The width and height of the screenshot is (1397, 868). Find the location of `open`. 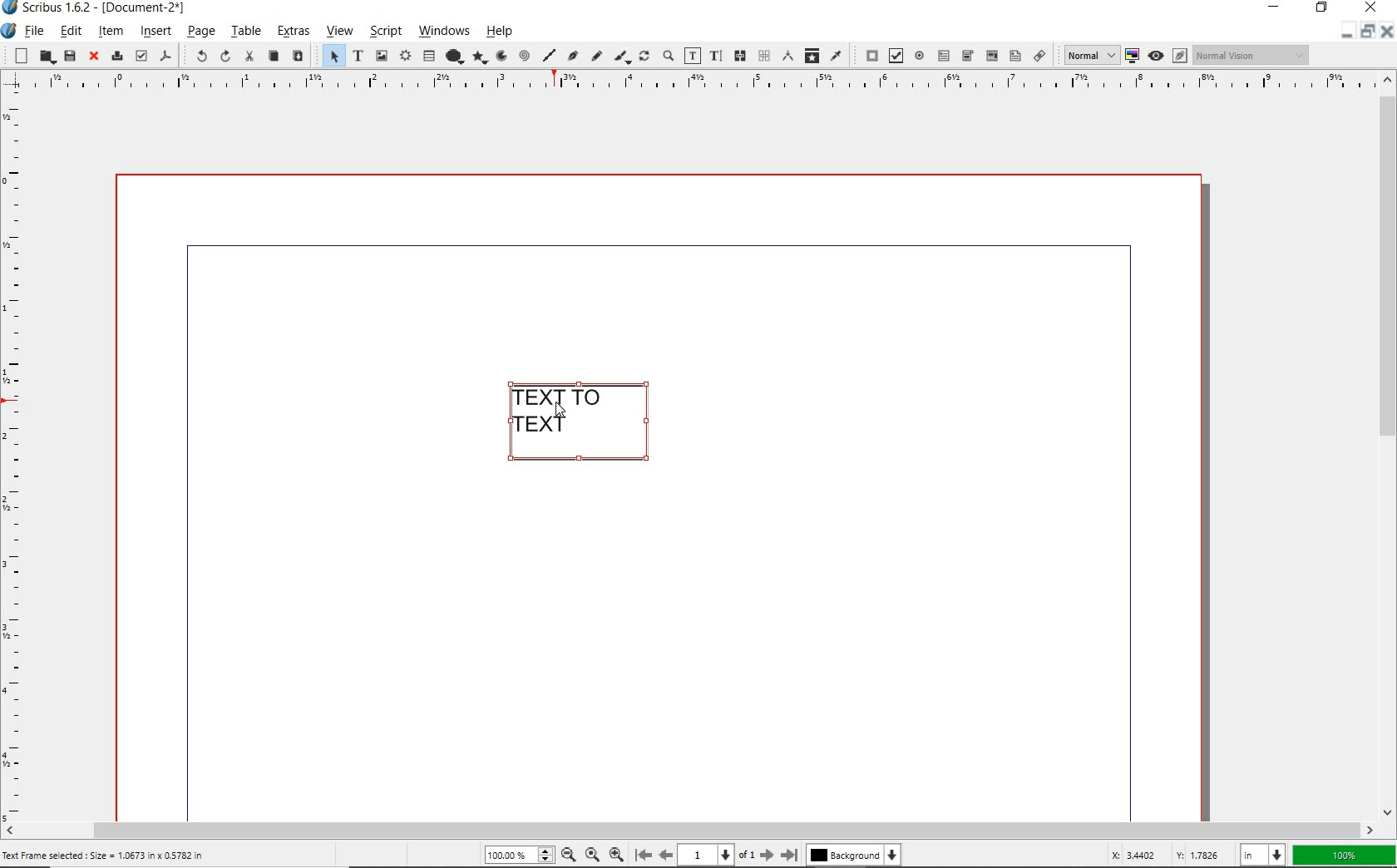

open is located at coordinates (47, 57).